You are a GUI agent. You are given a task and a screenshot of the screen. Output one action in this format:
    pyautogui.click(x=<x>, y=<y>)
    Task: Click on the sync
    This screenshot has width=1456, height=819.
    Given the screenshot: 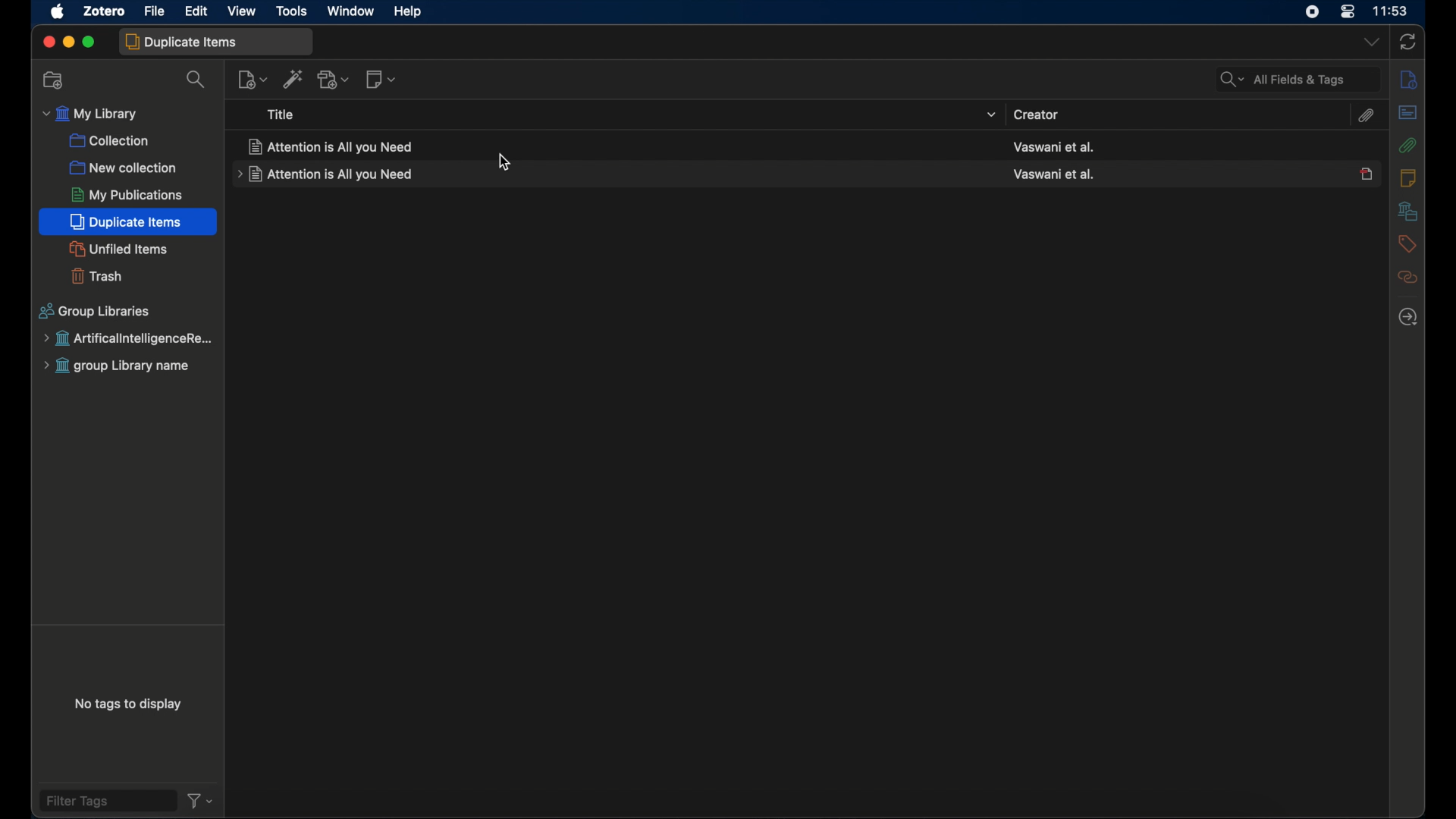 What is the action you would take?
    pyautogui.click(x=1407, y=42)
    